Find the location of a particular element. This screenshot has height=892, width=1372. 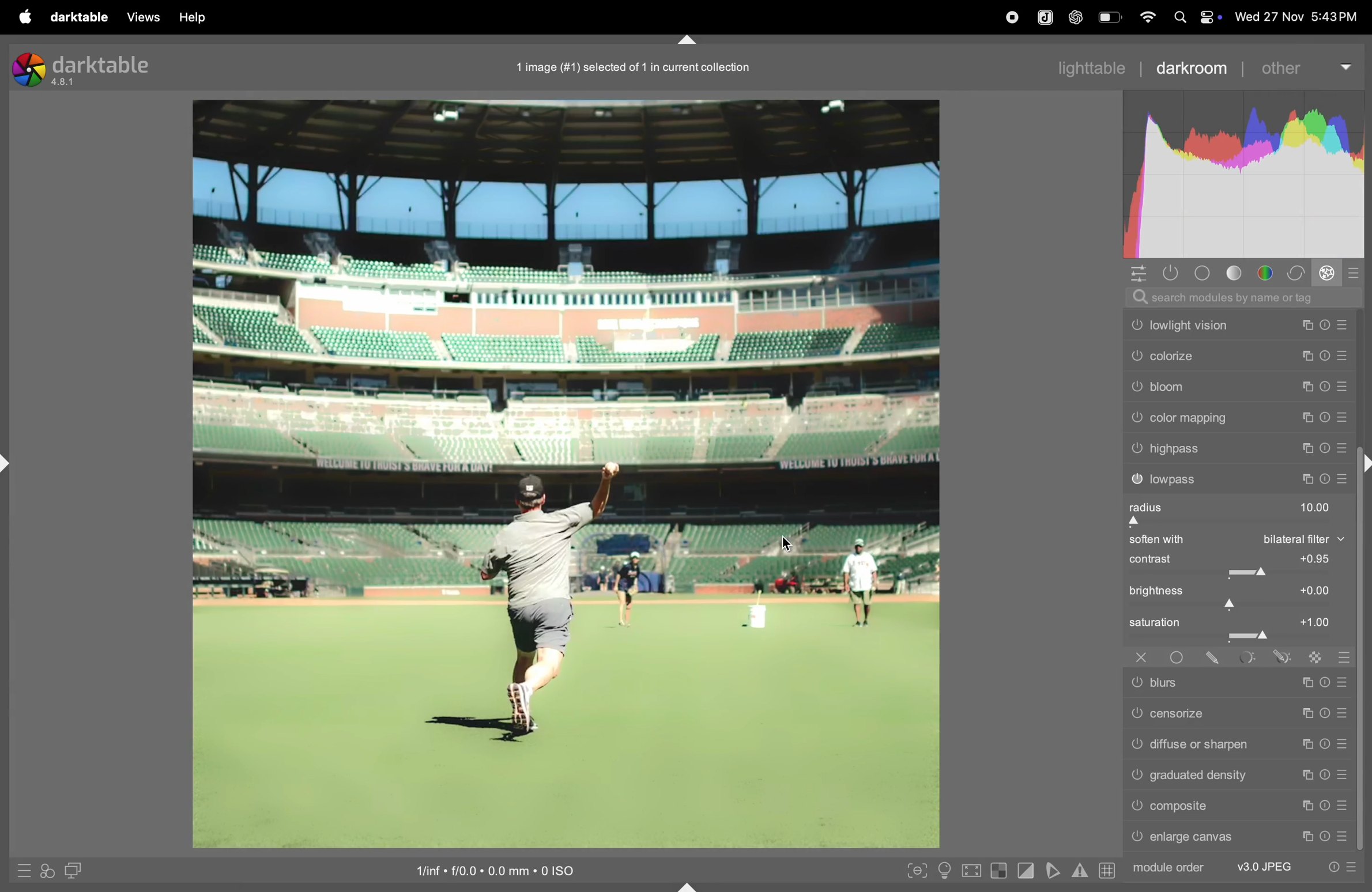

darkroom is located at coordinates (1190, 67).